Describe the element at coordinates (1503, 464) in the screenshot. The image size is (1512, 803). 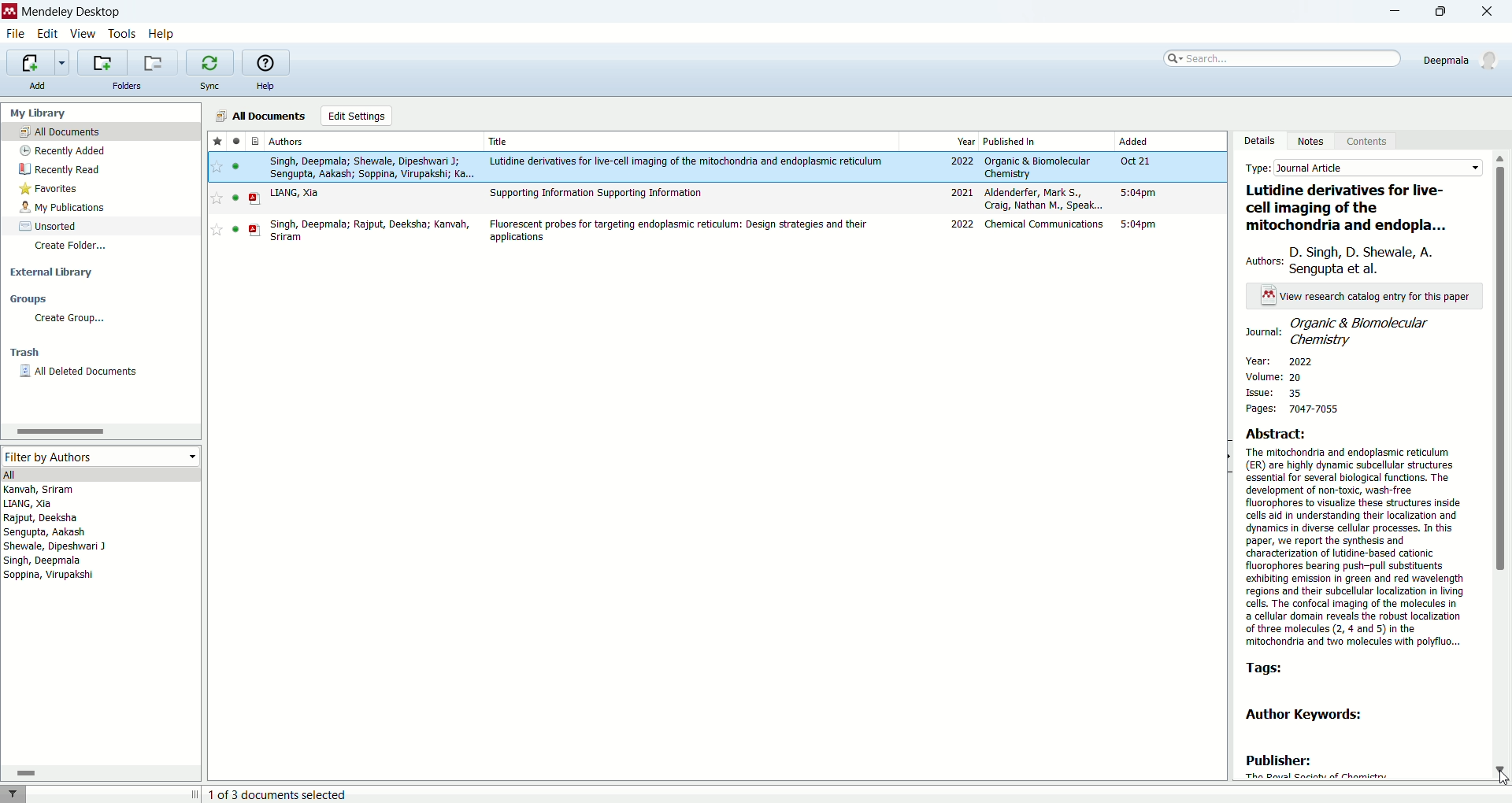
I see `vertical scroll bar` at that location.